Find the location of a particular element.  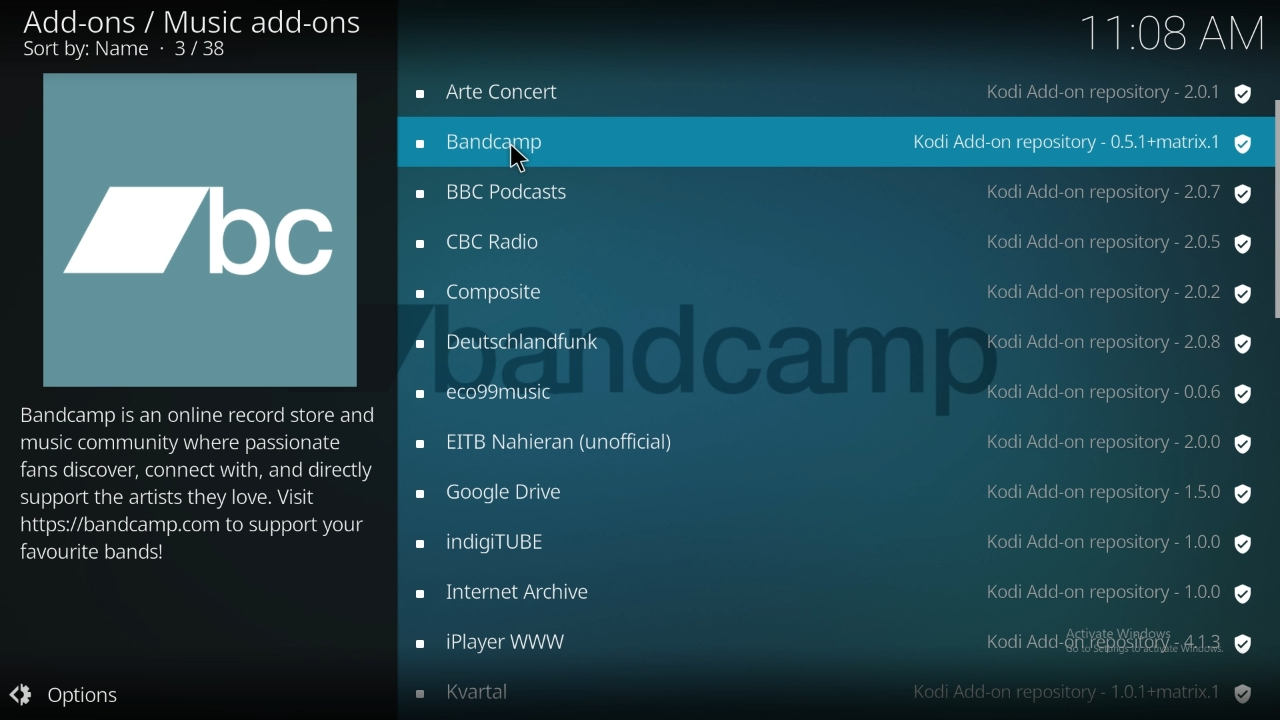

add on is located at coordinates (833, 494).